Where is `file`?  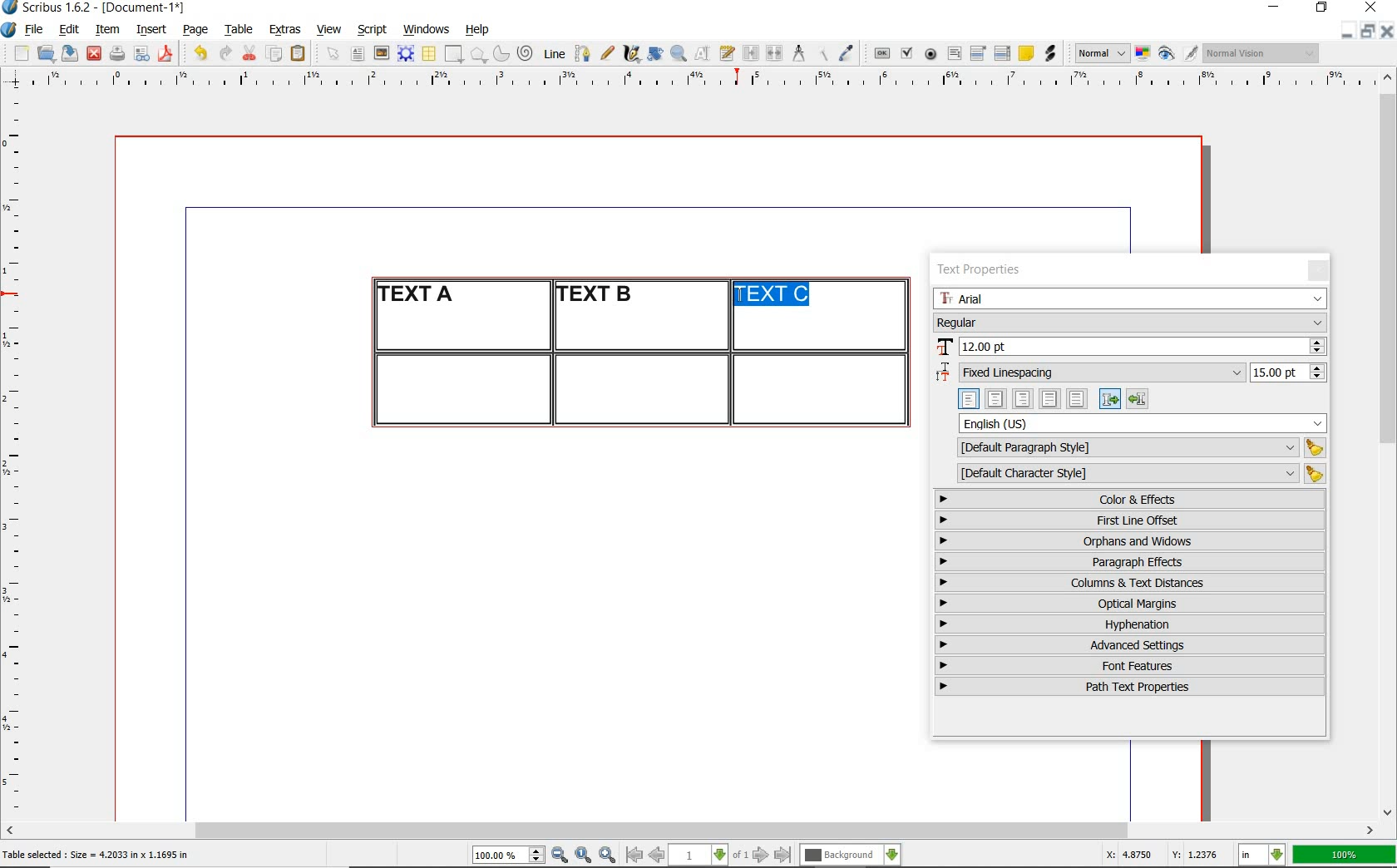 file is located at coordinates (36, 30).